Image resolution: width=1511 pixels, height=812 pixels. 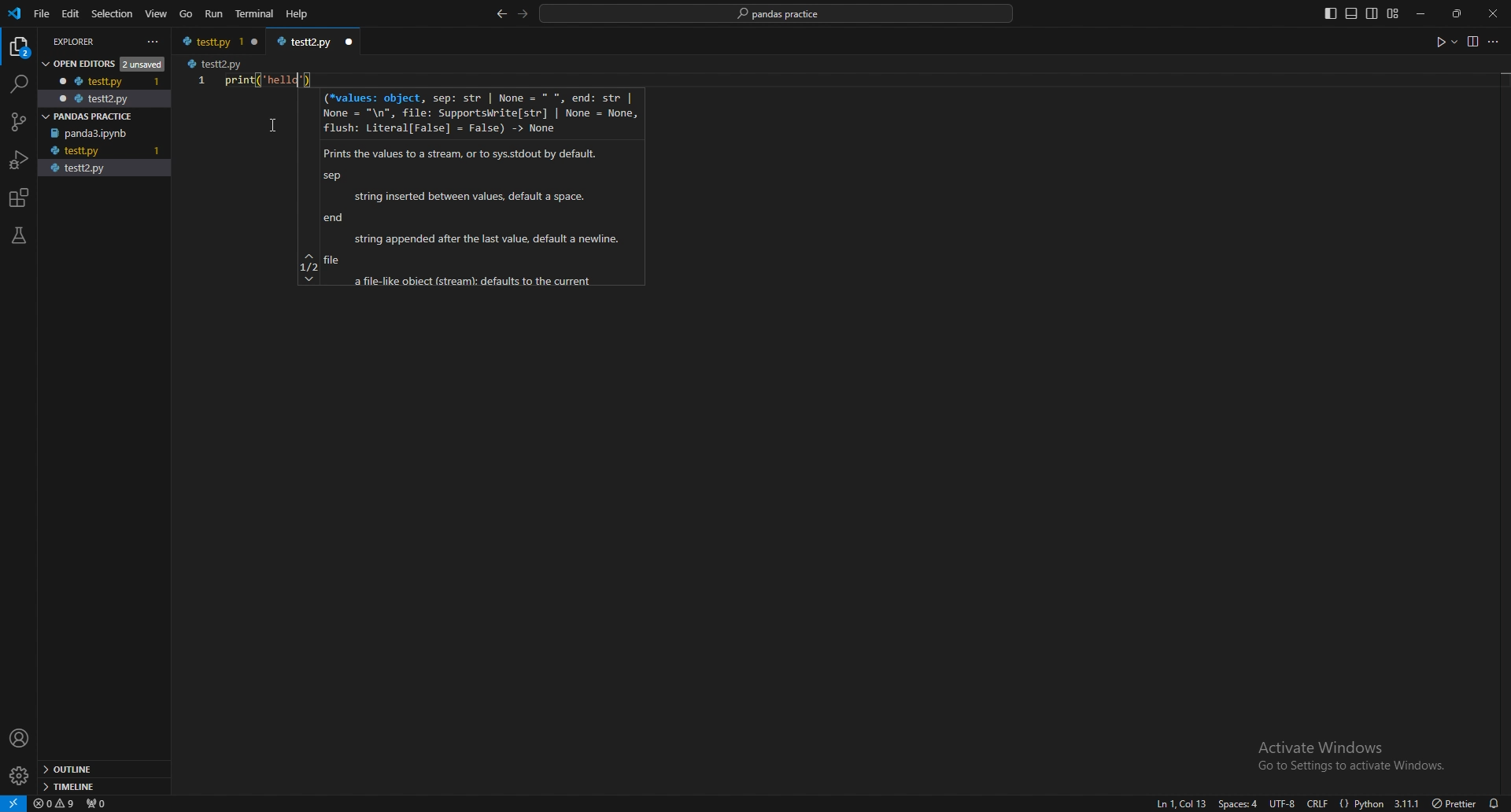 I want to click on edit, so click(x=72, y=13).